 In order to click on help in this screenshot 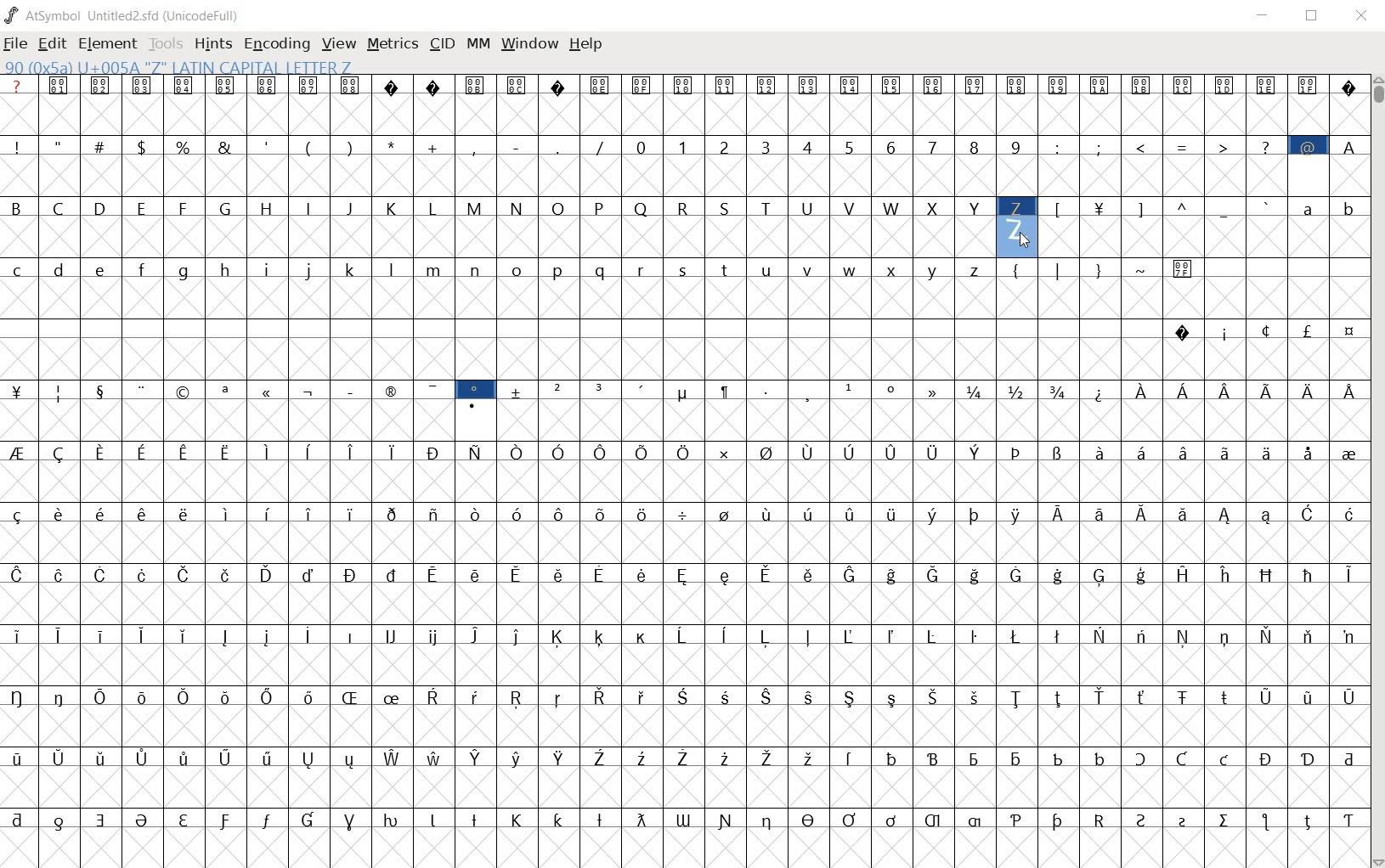, I will do `click(587, 44)`.